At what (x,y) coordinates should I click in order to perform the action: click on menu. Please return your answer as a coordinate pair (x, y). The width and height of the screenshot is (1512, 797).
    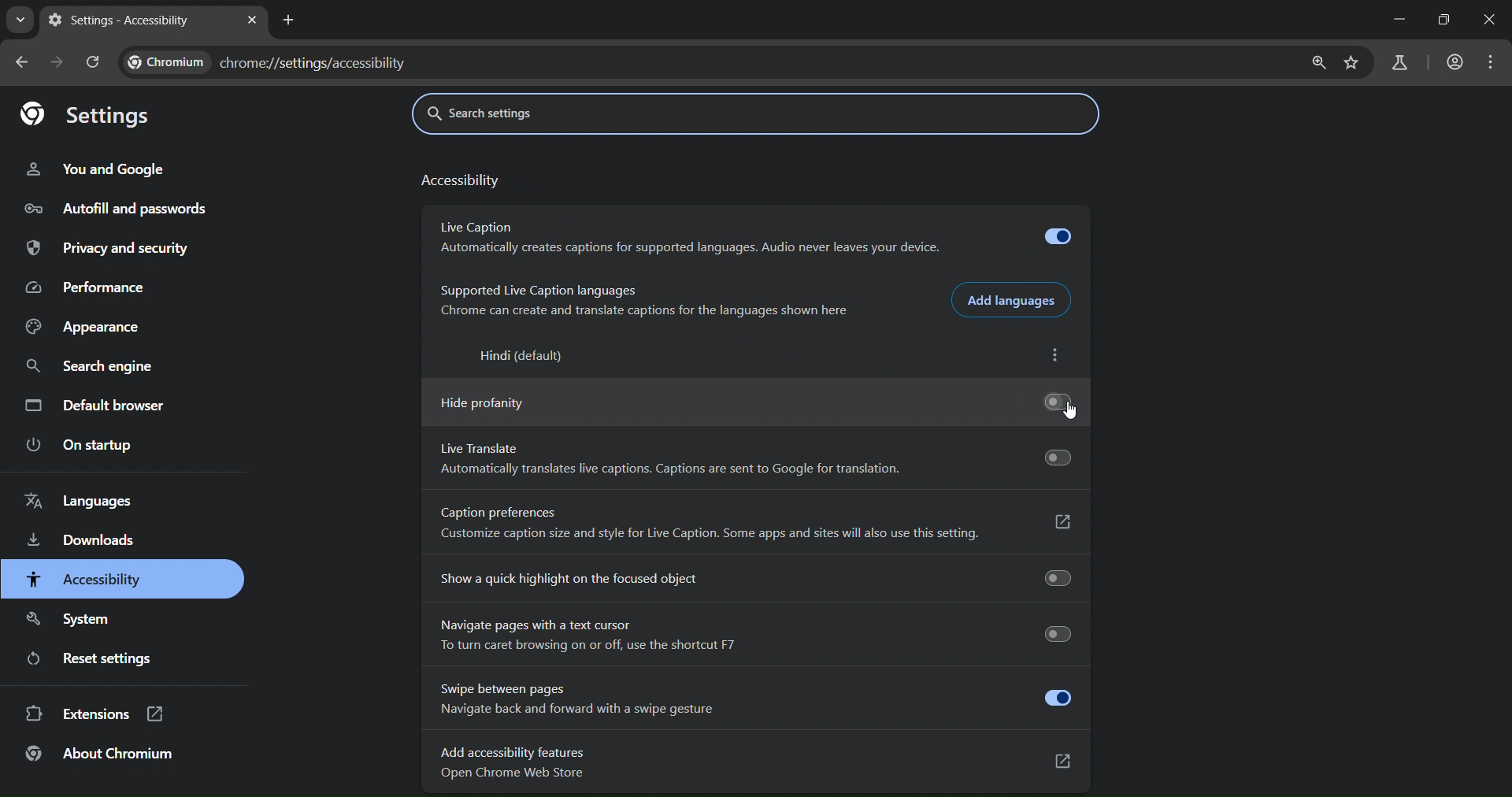
    Looking at the image, I should click on (1493, 60).